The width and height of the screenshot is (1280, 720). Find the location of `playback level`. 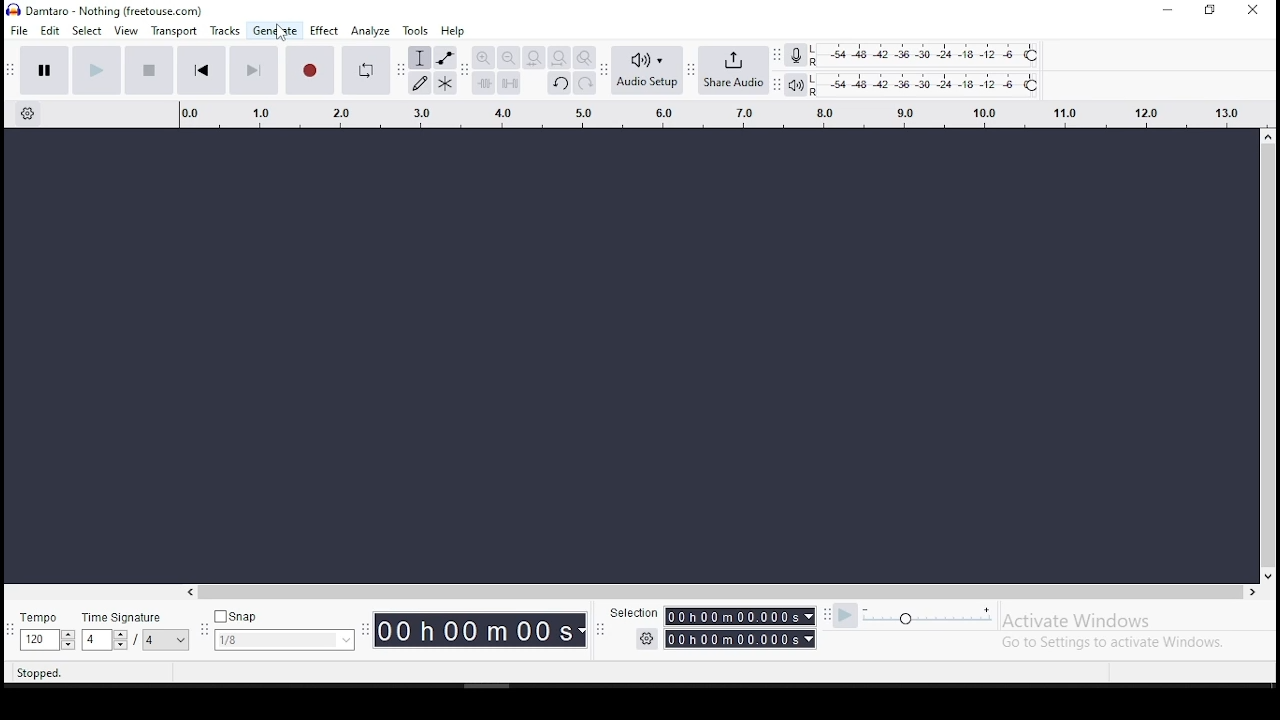

playback level is located at coordinates (929, 85).